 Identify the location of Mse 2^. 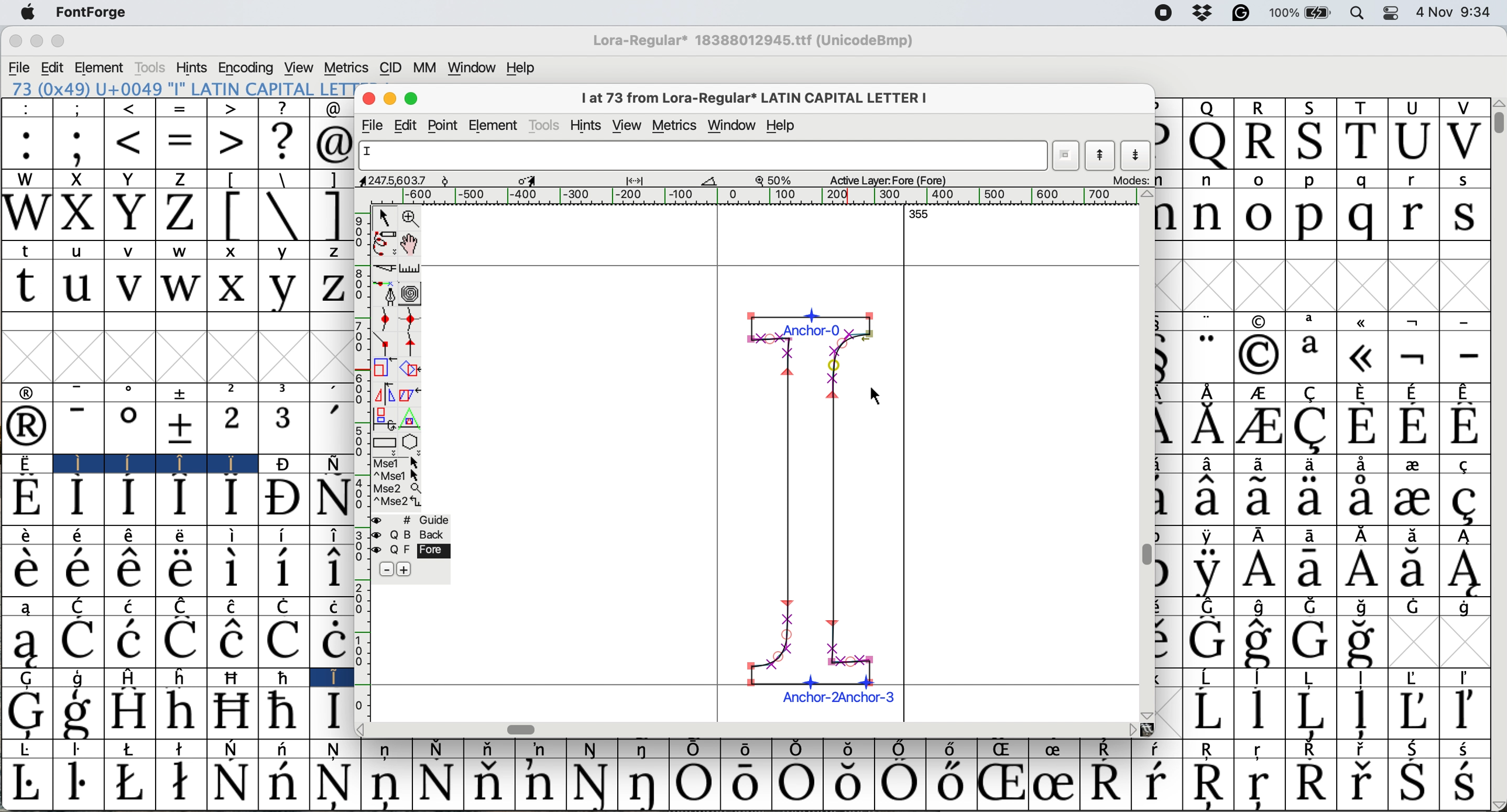
(398, 501).